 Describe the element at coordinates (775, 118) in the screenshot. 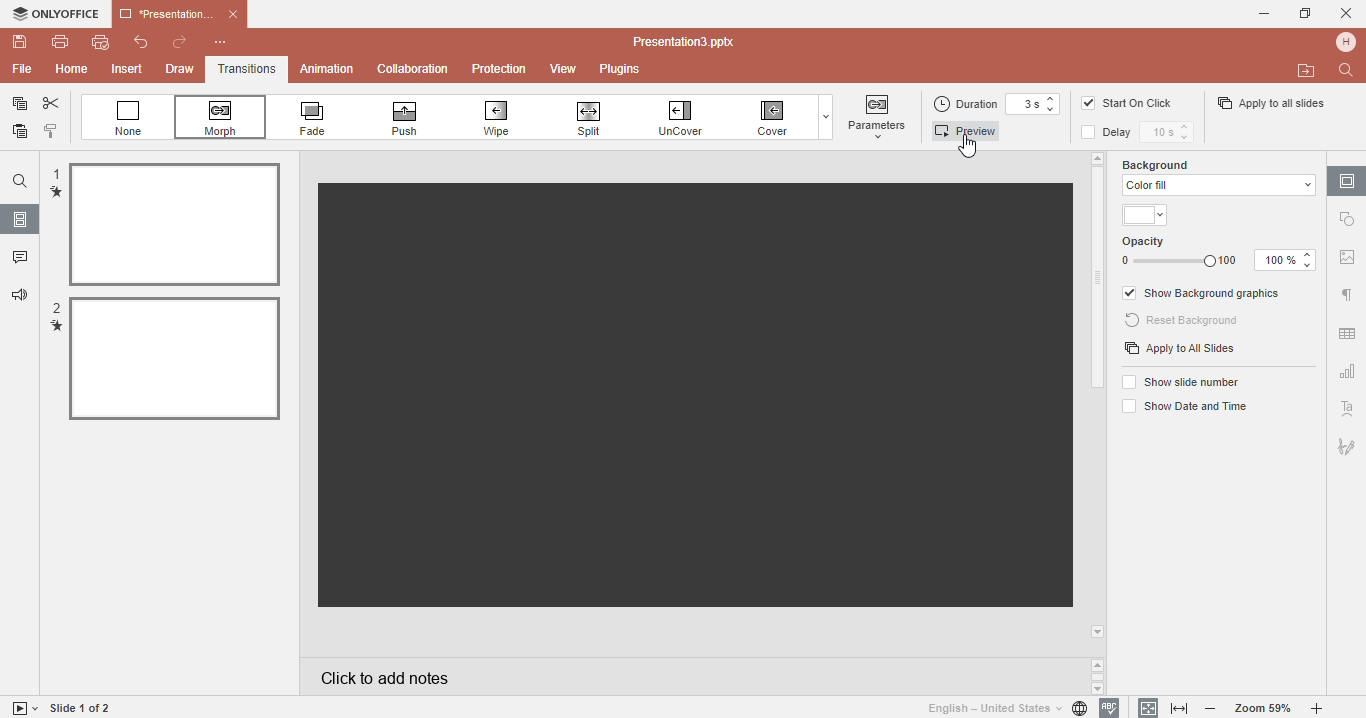

I see `Cover` at that location.